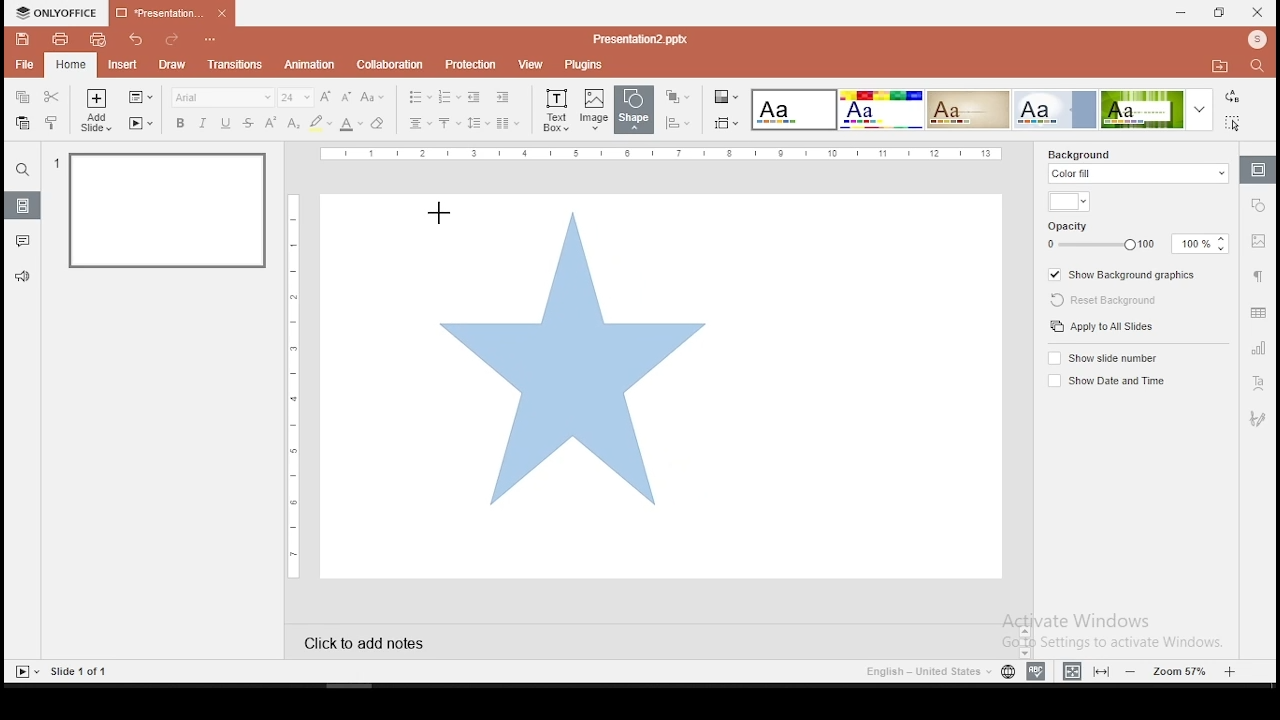  Describe the element at coordinates (795, 111) in the screenshot. I see `theme` at that location.